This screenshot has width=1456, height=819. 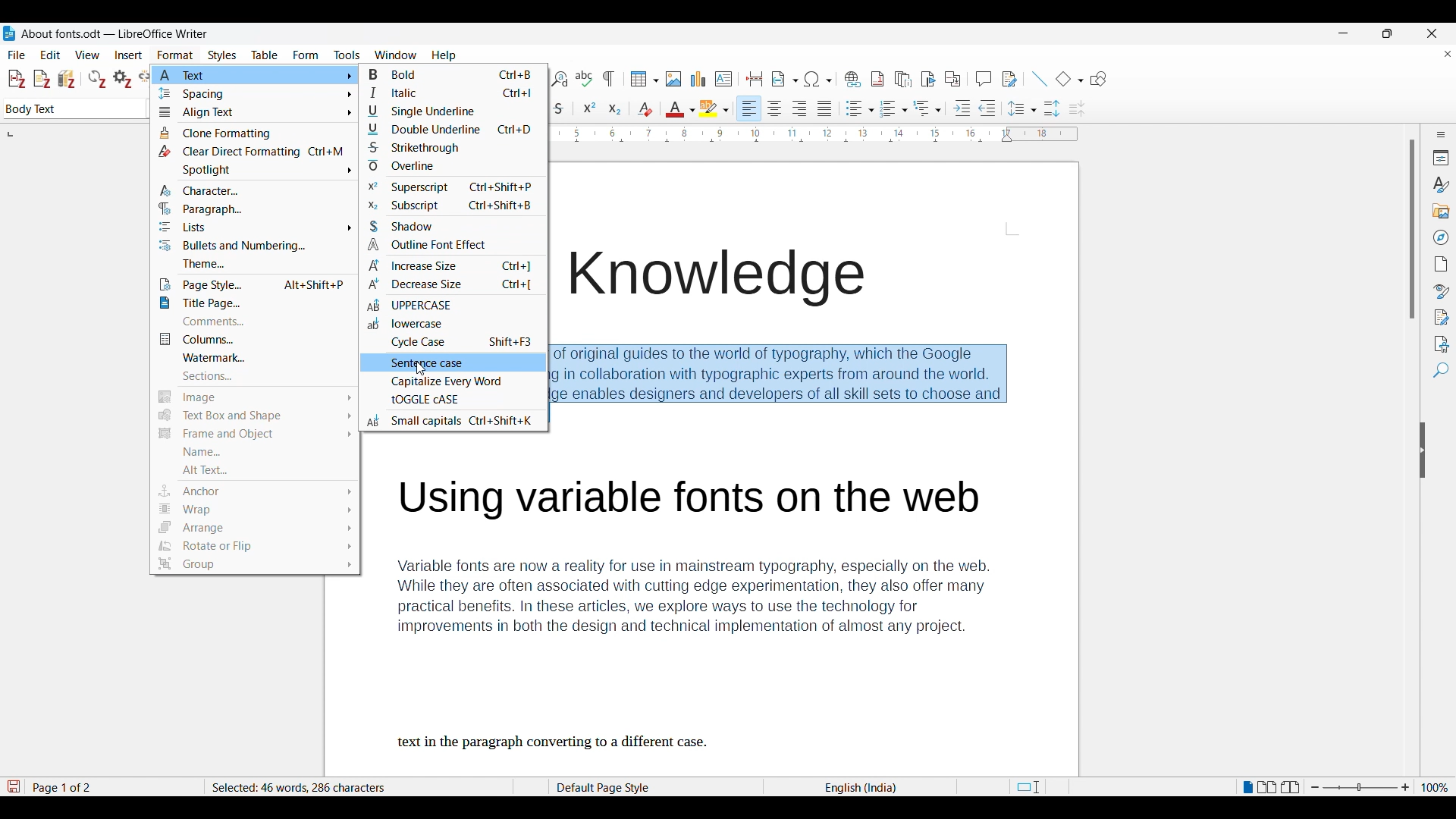 I want to click on cycle case, so click(x=459, y=342).